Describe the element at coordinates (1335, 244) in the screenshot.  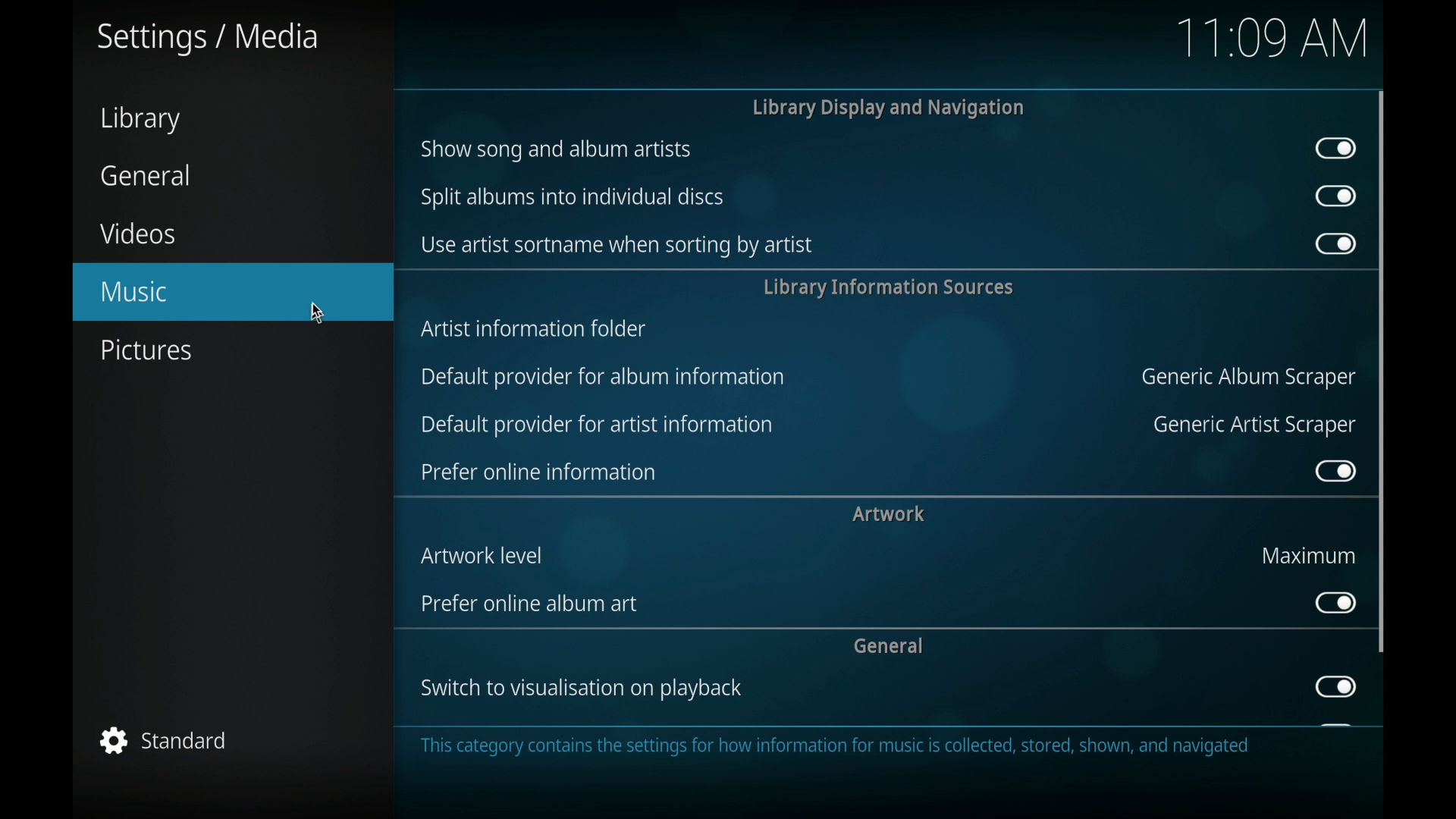
I see `toggle button` at that location.